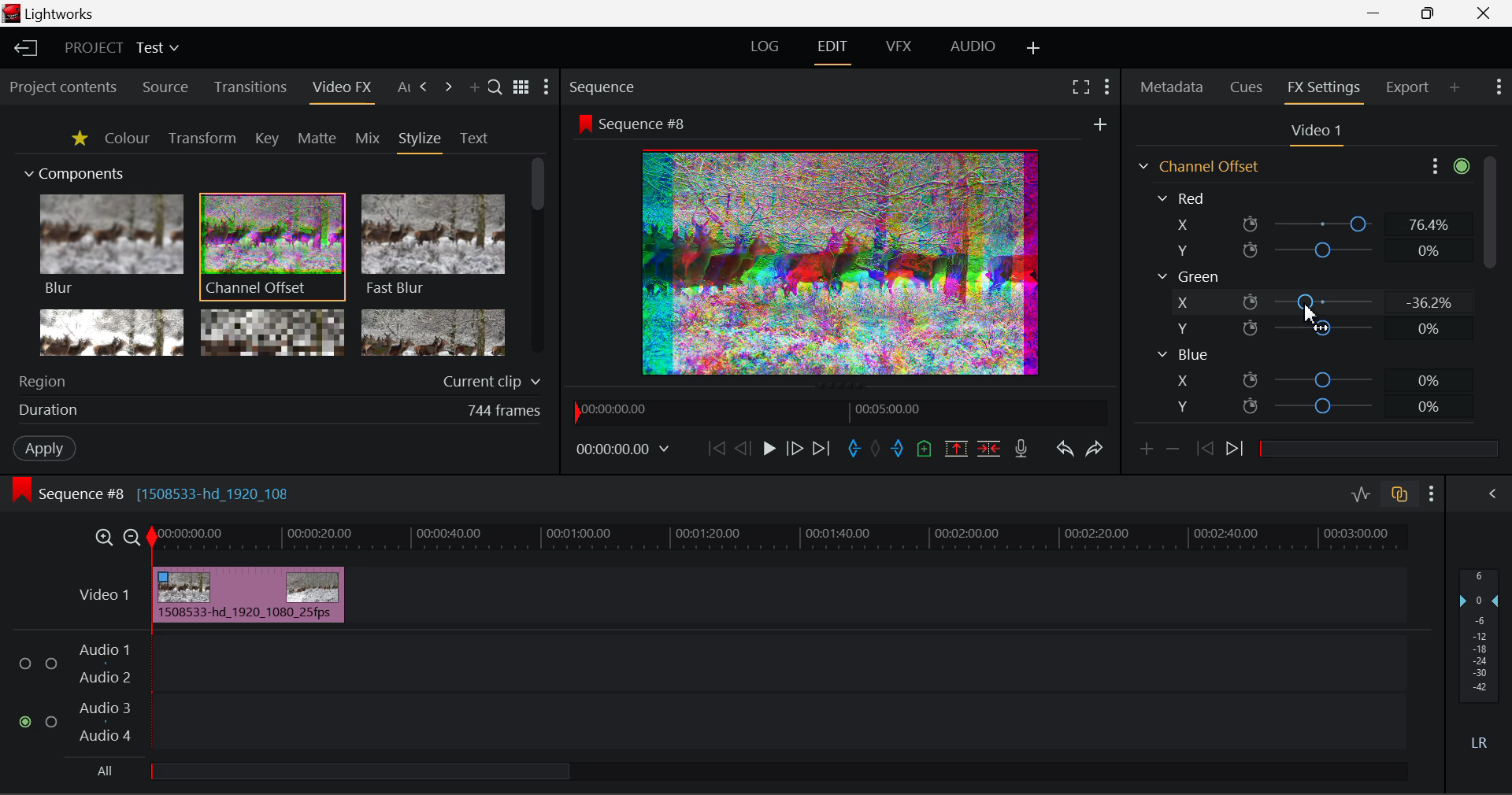  Describe the element at coordinates (249, 87) in the screenshot. I see `Transitions` at that location.